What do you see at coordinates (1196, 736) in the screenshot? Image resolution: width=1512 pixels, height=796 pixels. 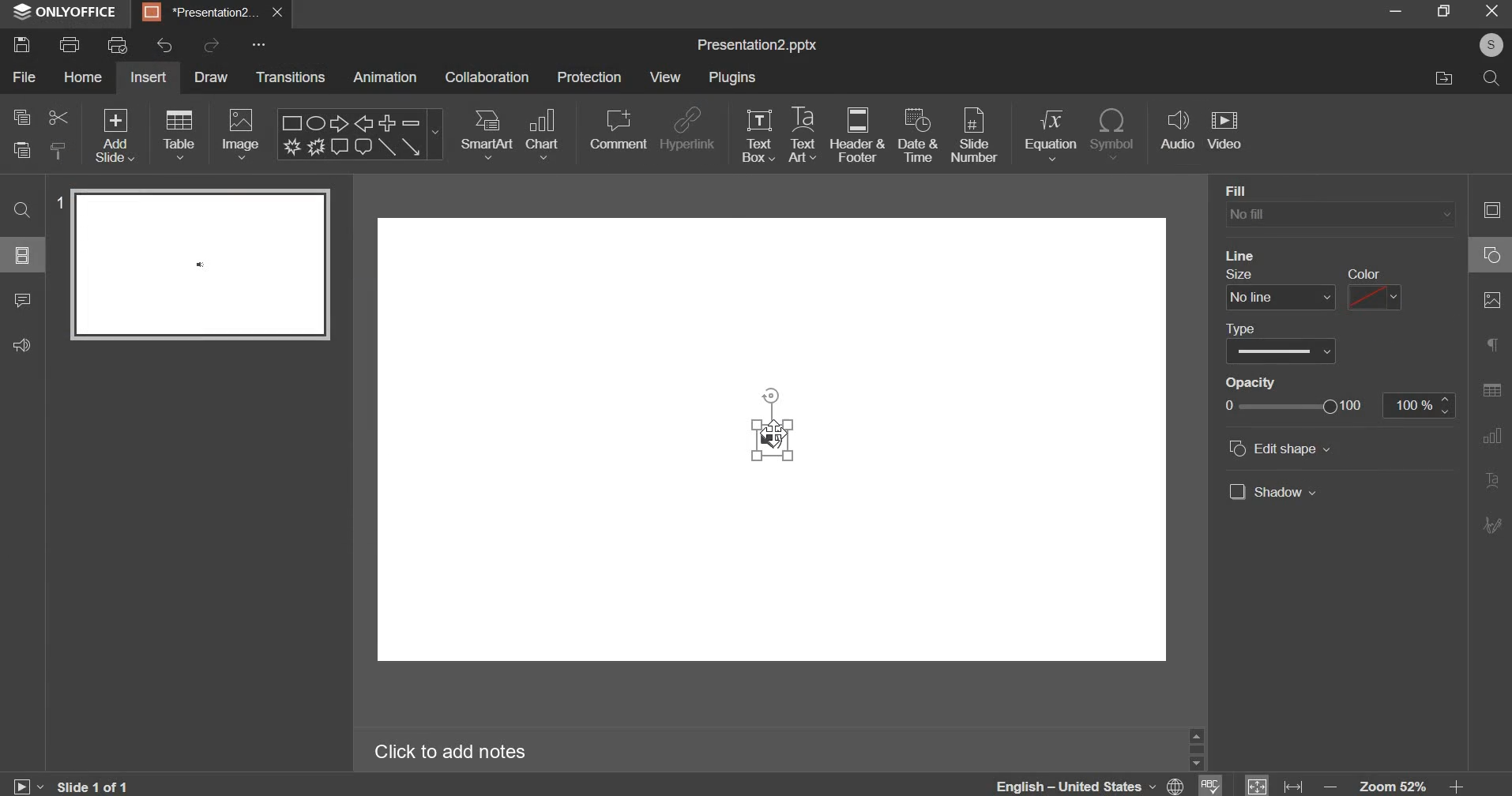 I see `scroll up` at bounding box center [1196, 736].